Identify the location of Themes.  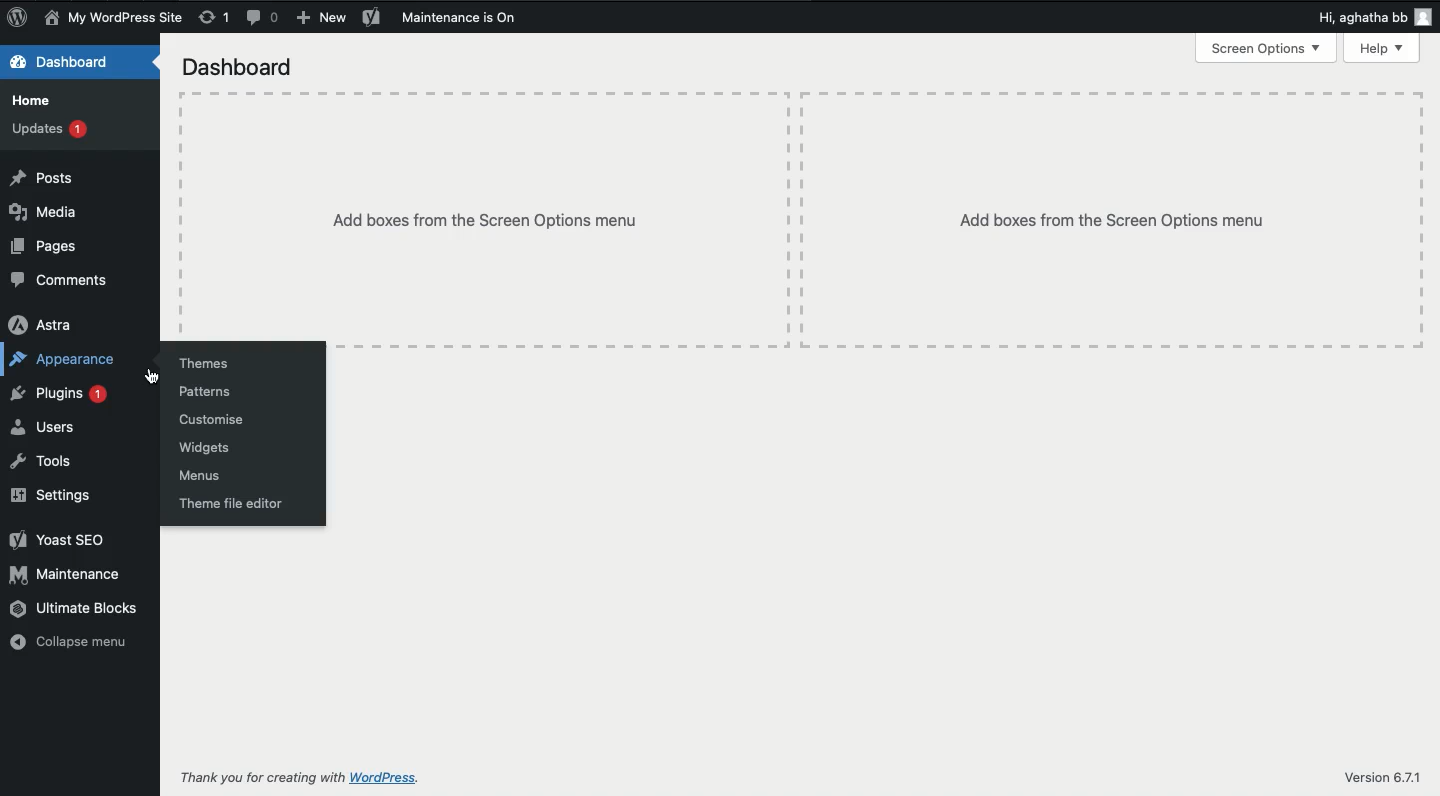
(205, 364).